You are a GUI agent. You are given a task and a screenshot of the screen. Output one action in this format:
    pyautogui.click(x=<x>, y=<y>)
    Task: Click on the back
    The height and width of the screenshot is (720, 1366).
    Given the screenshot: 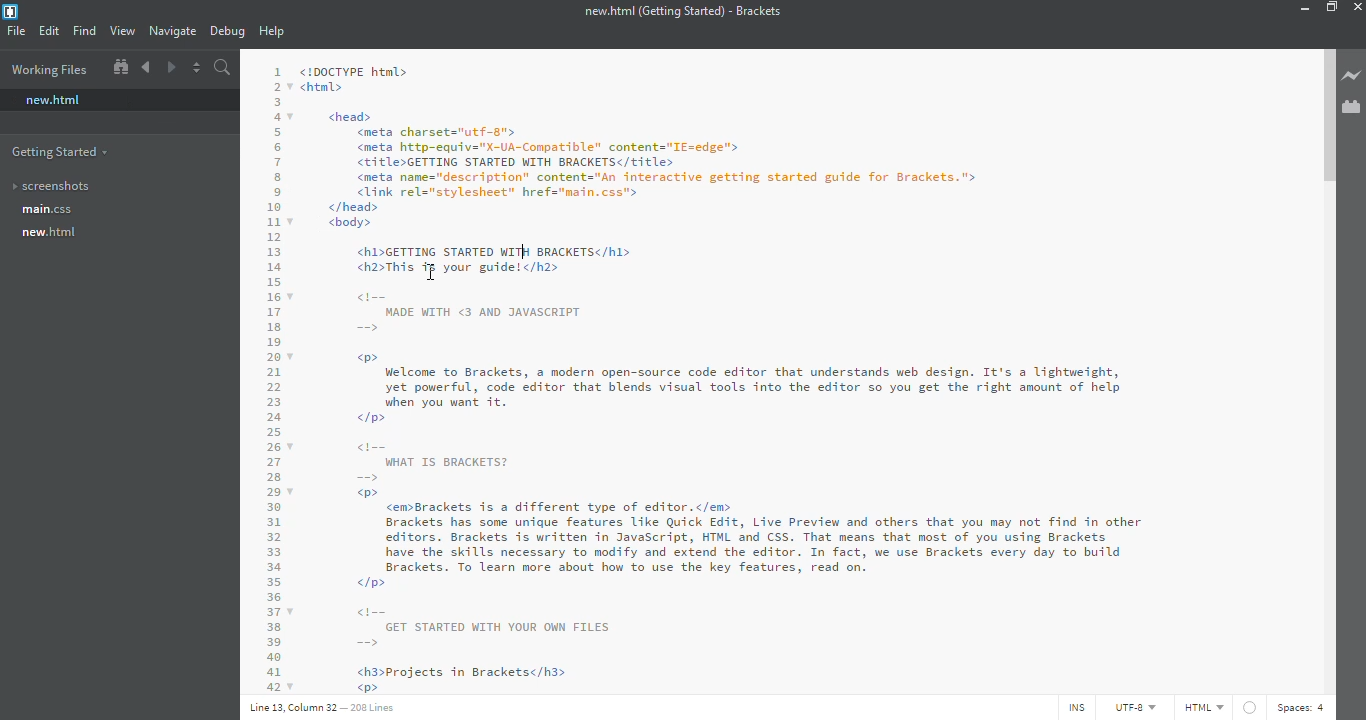 What is the action you would take?
    pyautogui.click(x=148, y=67)
    